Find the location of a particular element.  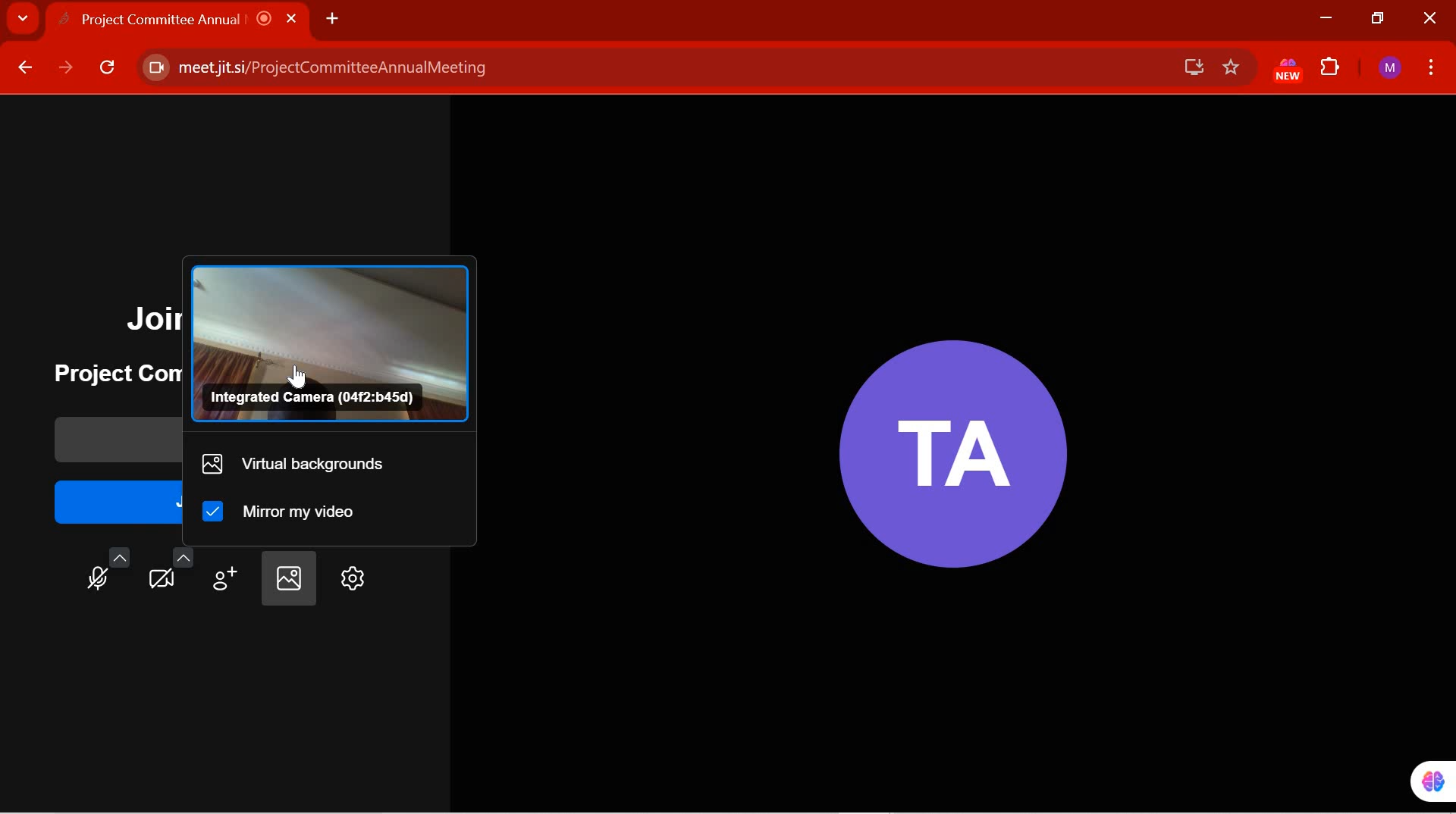

MINIMIZE is located at coordinates (1325, 18).